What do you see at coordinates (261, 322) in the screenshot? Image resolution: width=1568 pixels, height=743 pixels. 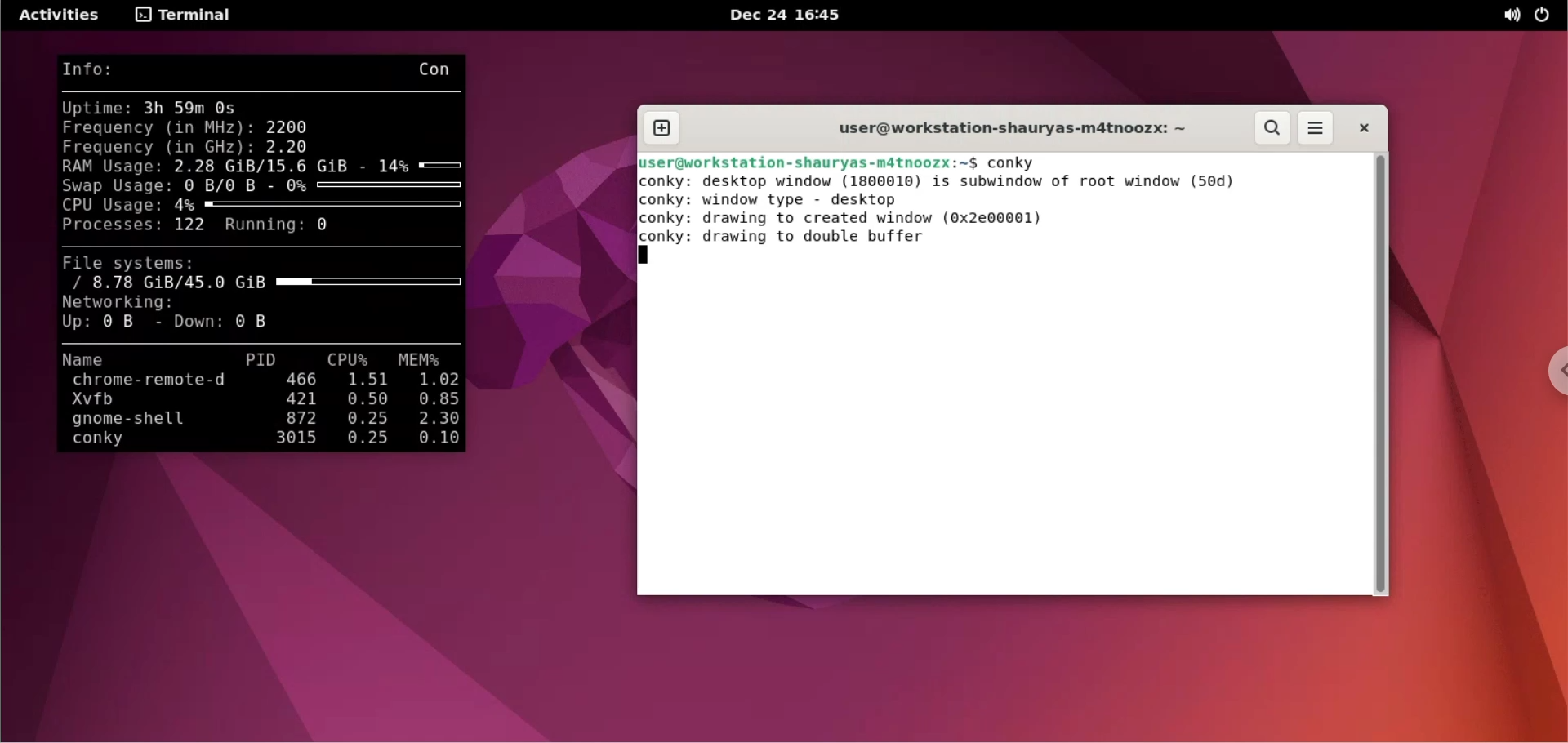 I see `0B` at bounding box center [261, 322].